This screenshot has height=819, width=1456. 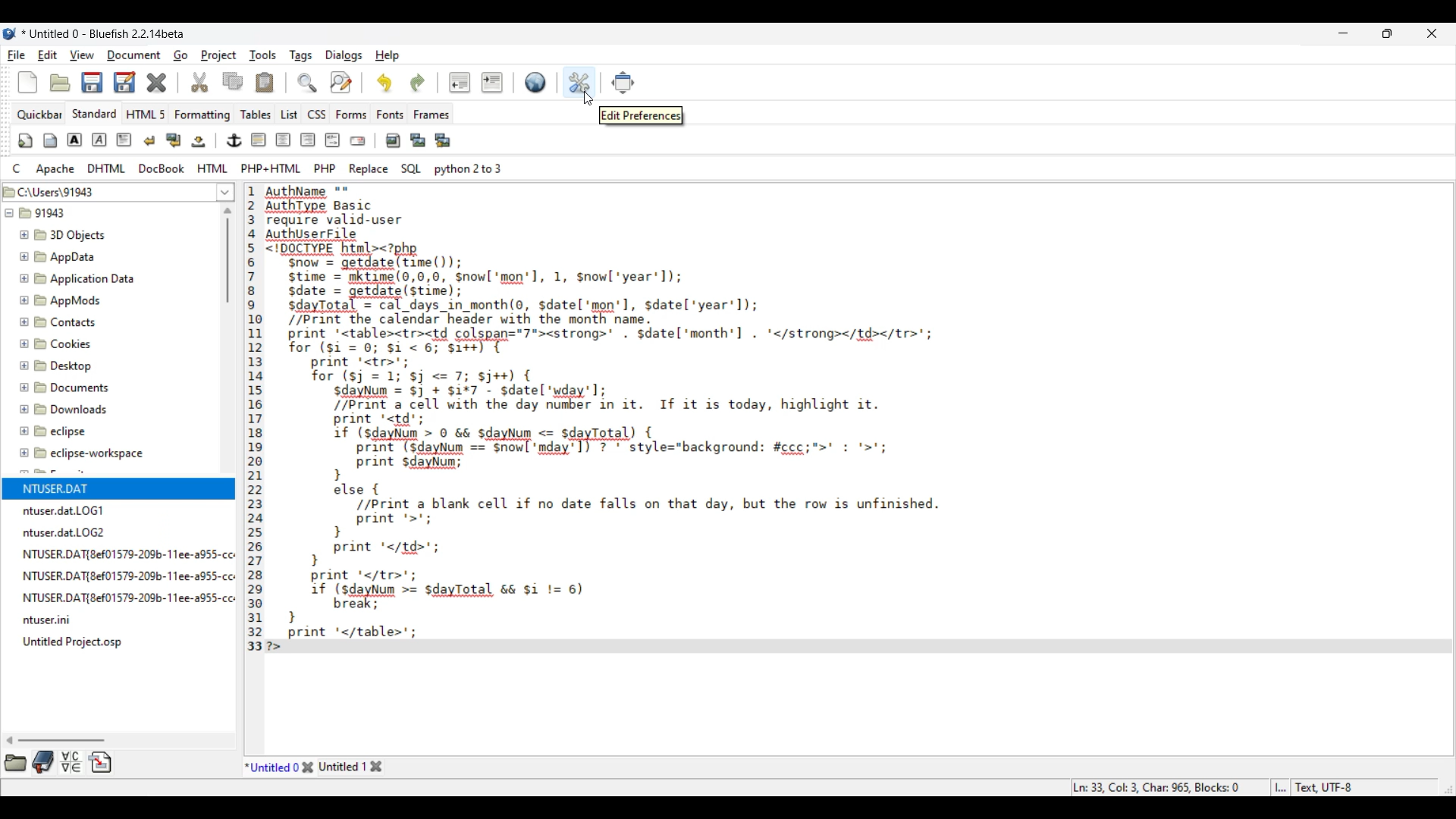 I want to click on Tables, so click(x=256, y=115).